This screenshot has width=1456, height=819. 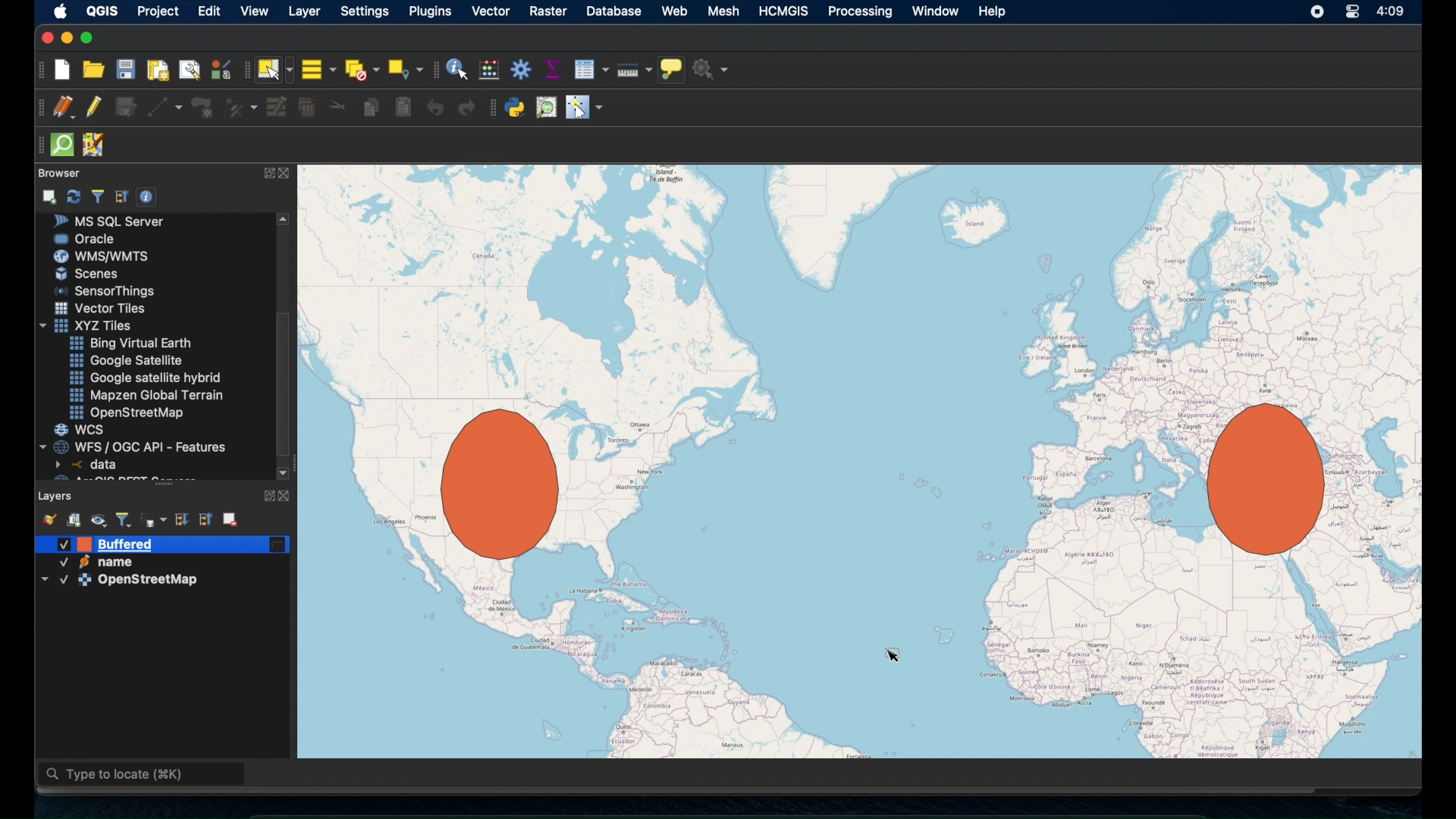 What do you see at coordinates (435, 108) in the screenshot?
I see `undo` at bounding box center [435, 108].